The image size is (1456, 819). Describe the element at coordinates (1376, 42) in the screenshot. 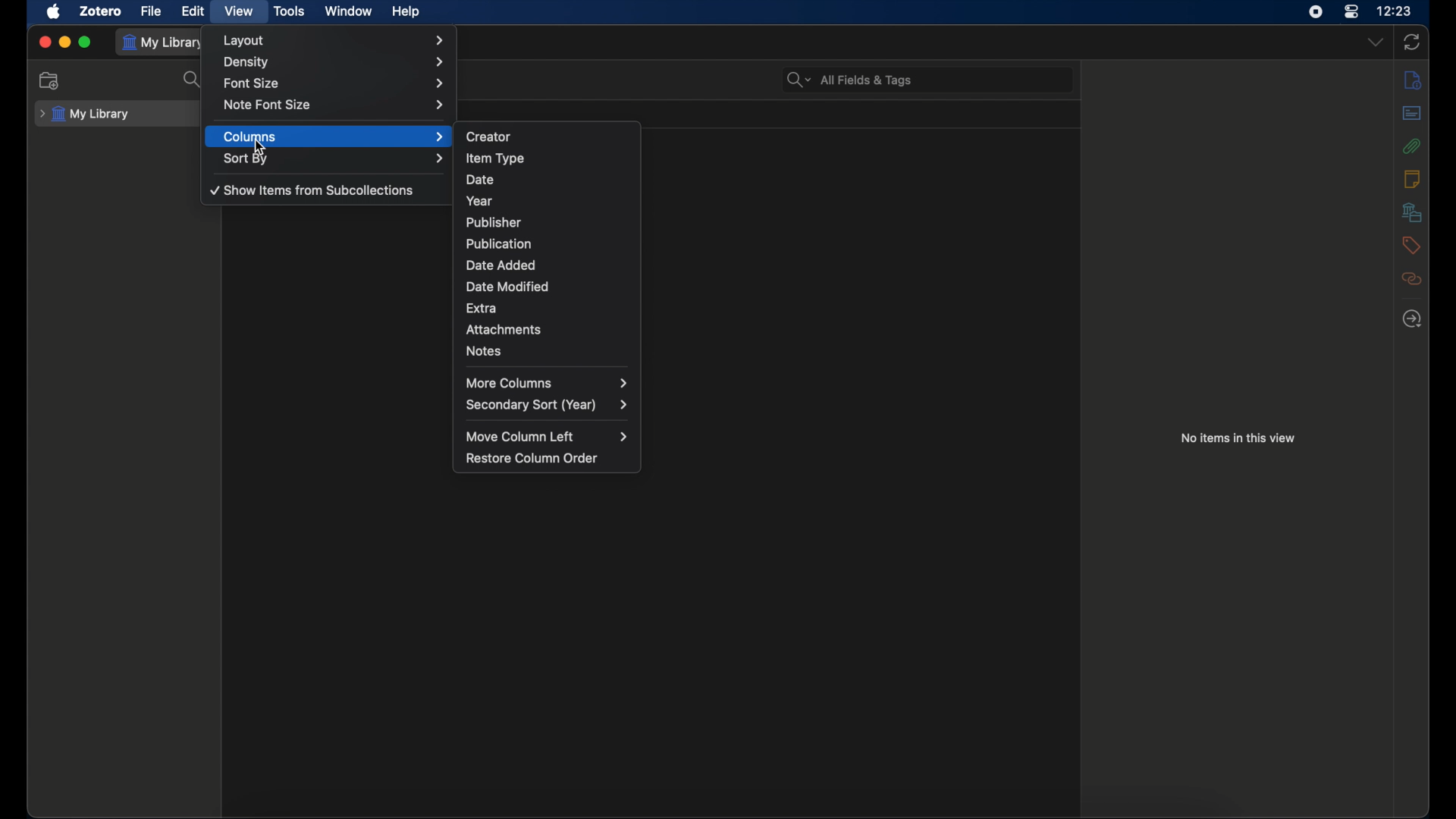

I see `dropdown` at that location.